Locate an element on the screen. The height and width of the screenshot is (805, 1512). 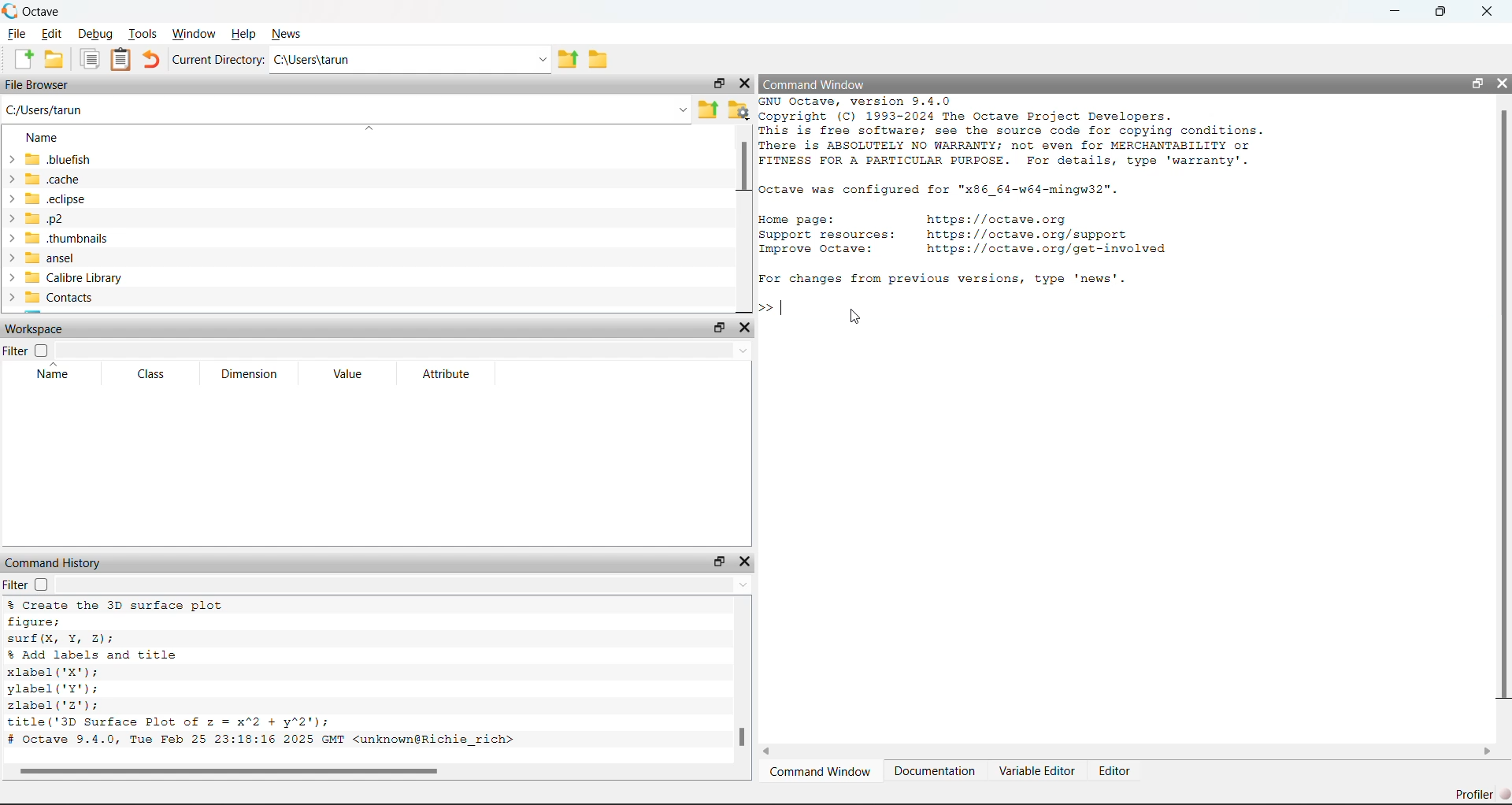
File is located at coordinates (17, 35).